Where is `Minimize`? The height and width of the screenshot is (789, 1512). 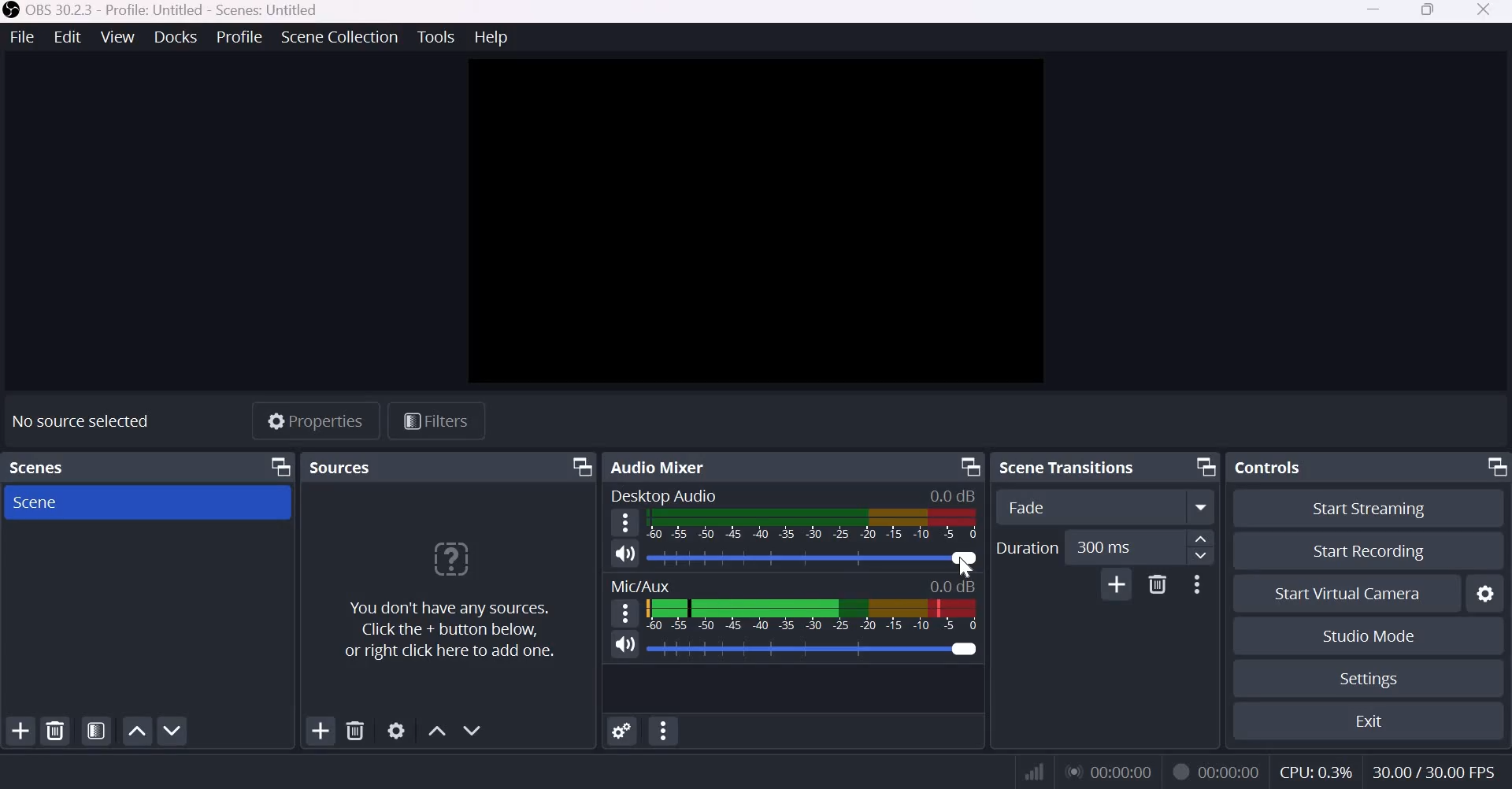
Minimize is located at coordinates (1377, 12).